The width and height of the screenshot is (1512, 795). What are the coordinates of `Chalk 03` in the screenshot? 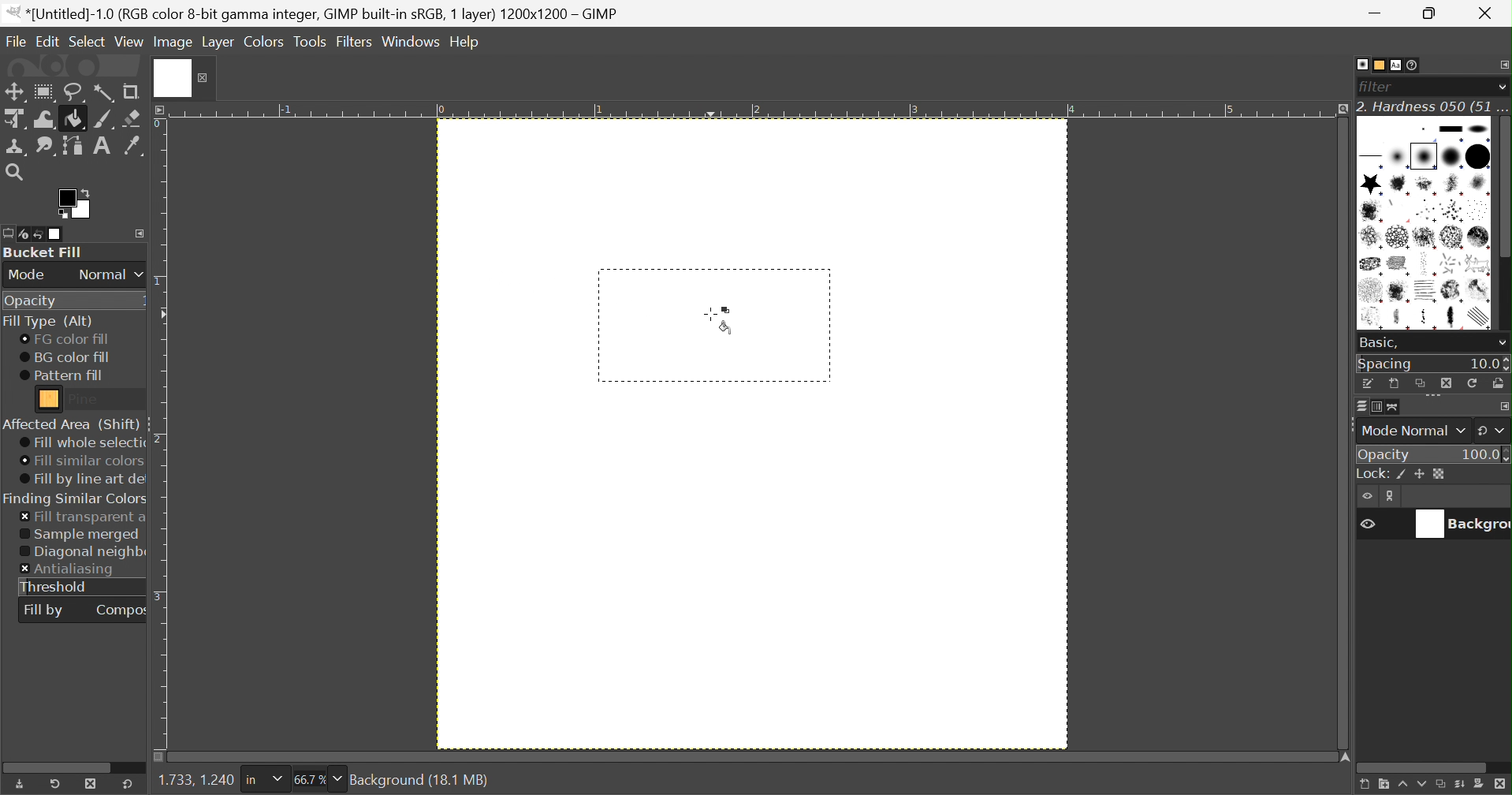 It's located at (1479, 237).